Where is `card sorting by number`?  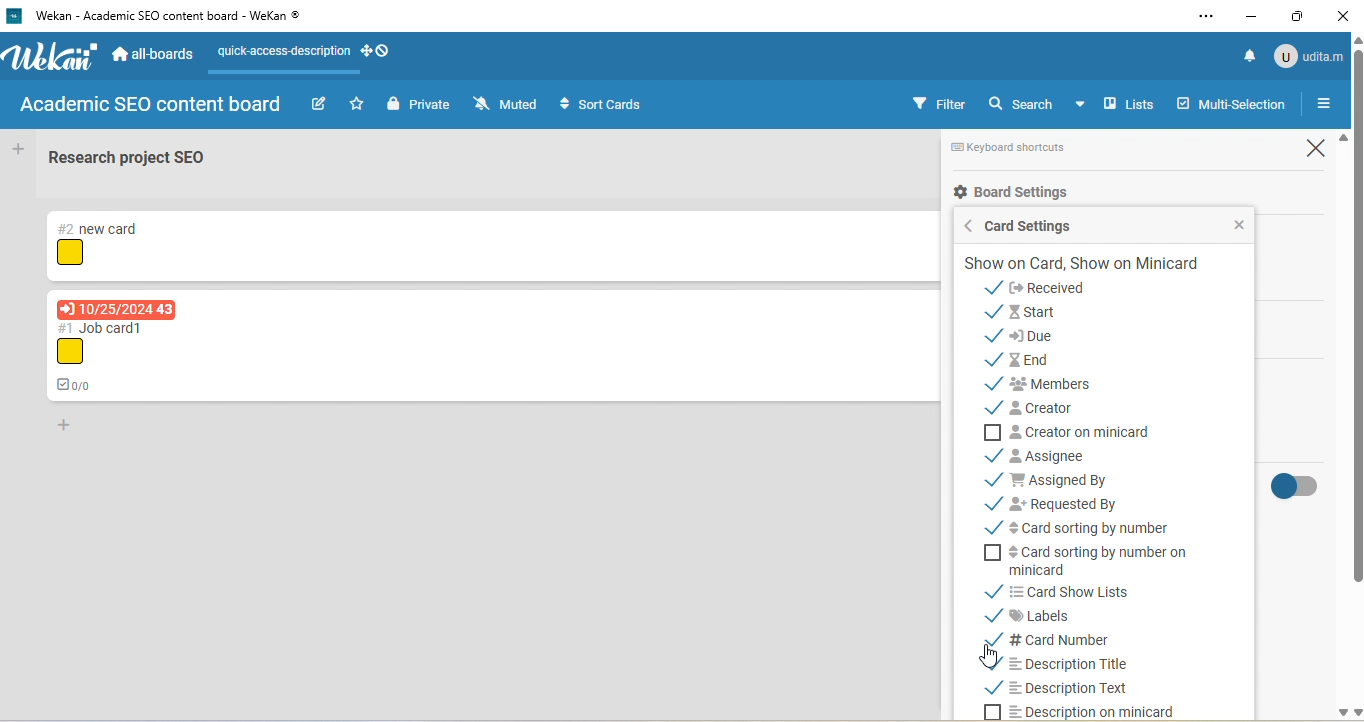 card sorting by number is located at coordinates (1091, 527).